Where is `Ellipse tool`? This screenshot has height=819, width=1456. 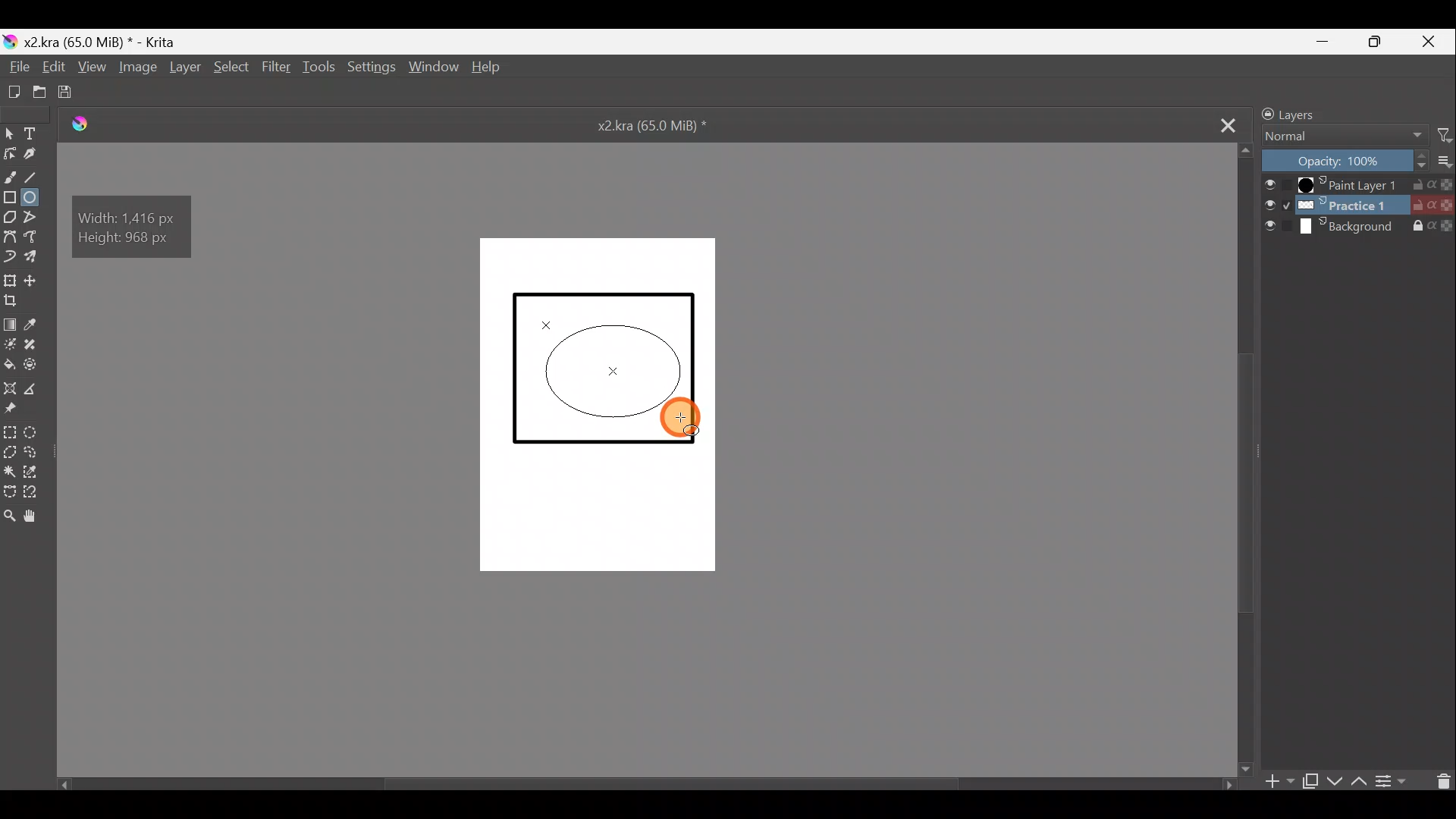 Ellipse tool is located at coordinates (36, 199).